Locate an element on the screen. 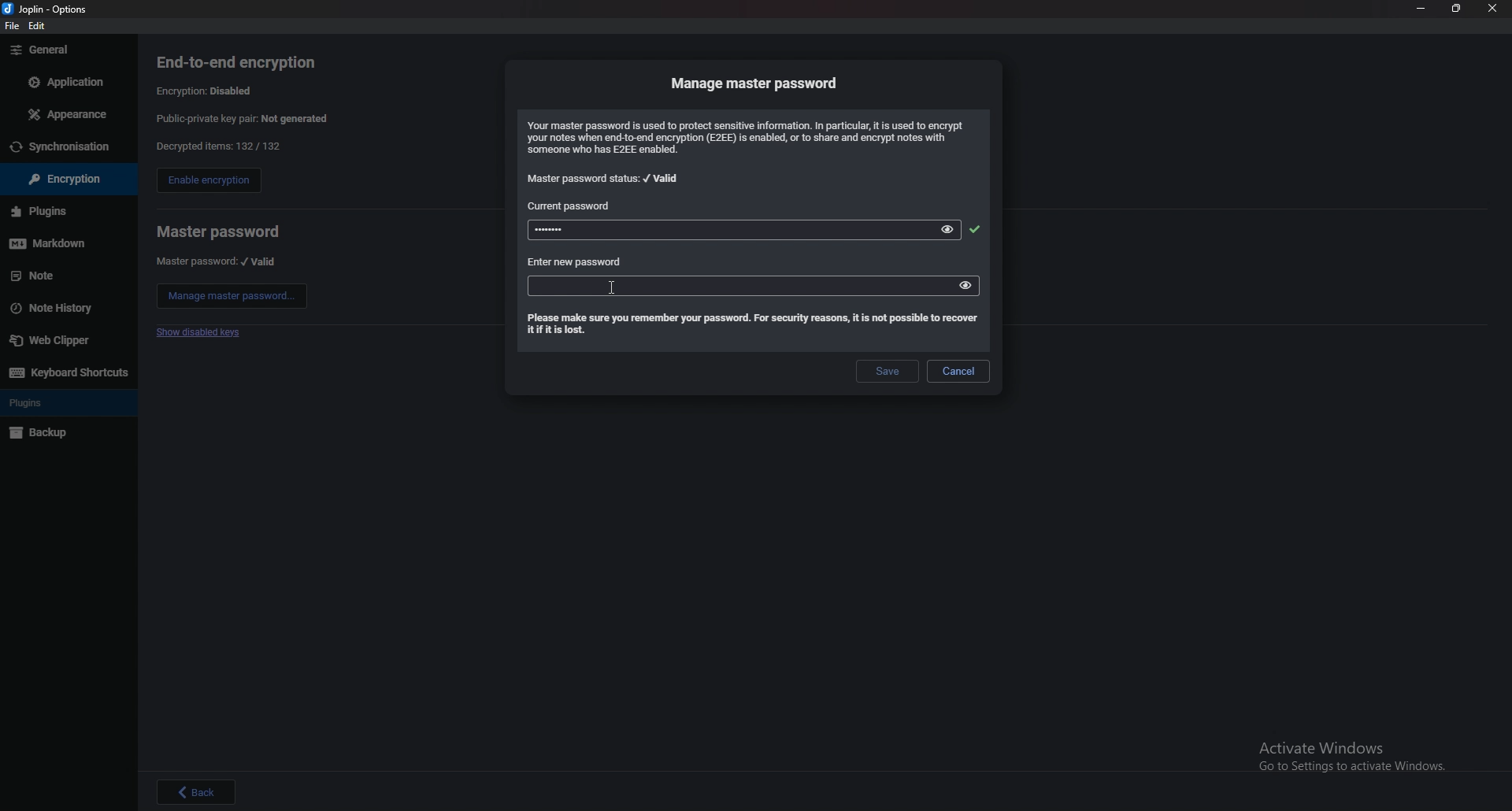 The image size is (1512, 811). view is located at coordinates (965, 284).